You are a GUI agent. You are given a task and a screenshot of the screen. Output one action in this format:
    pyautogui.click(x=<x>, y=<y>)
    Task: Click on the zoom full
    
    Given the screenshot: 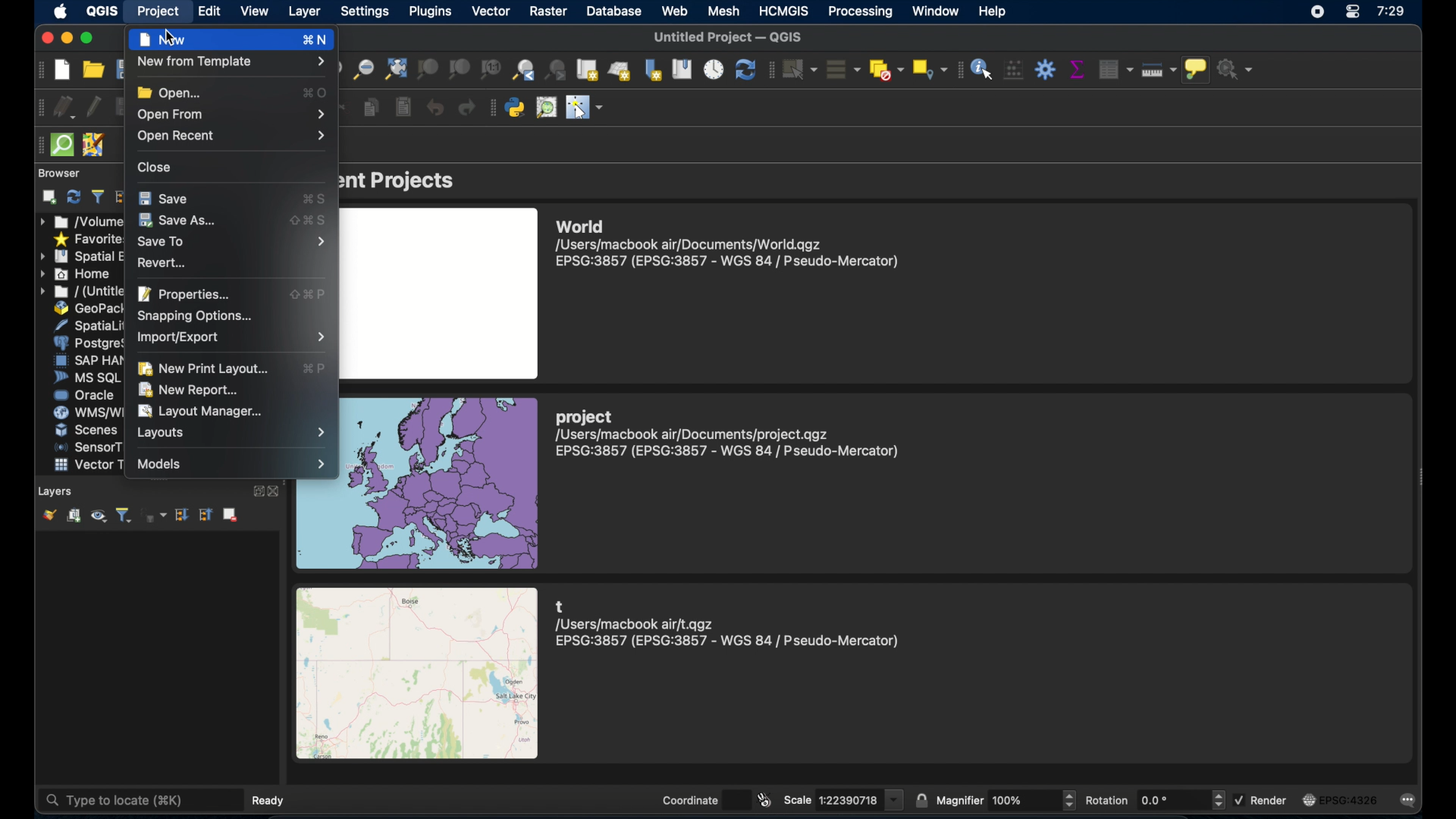 What is the action you would take?
    pyautogui.click(x=397, y=71)
    